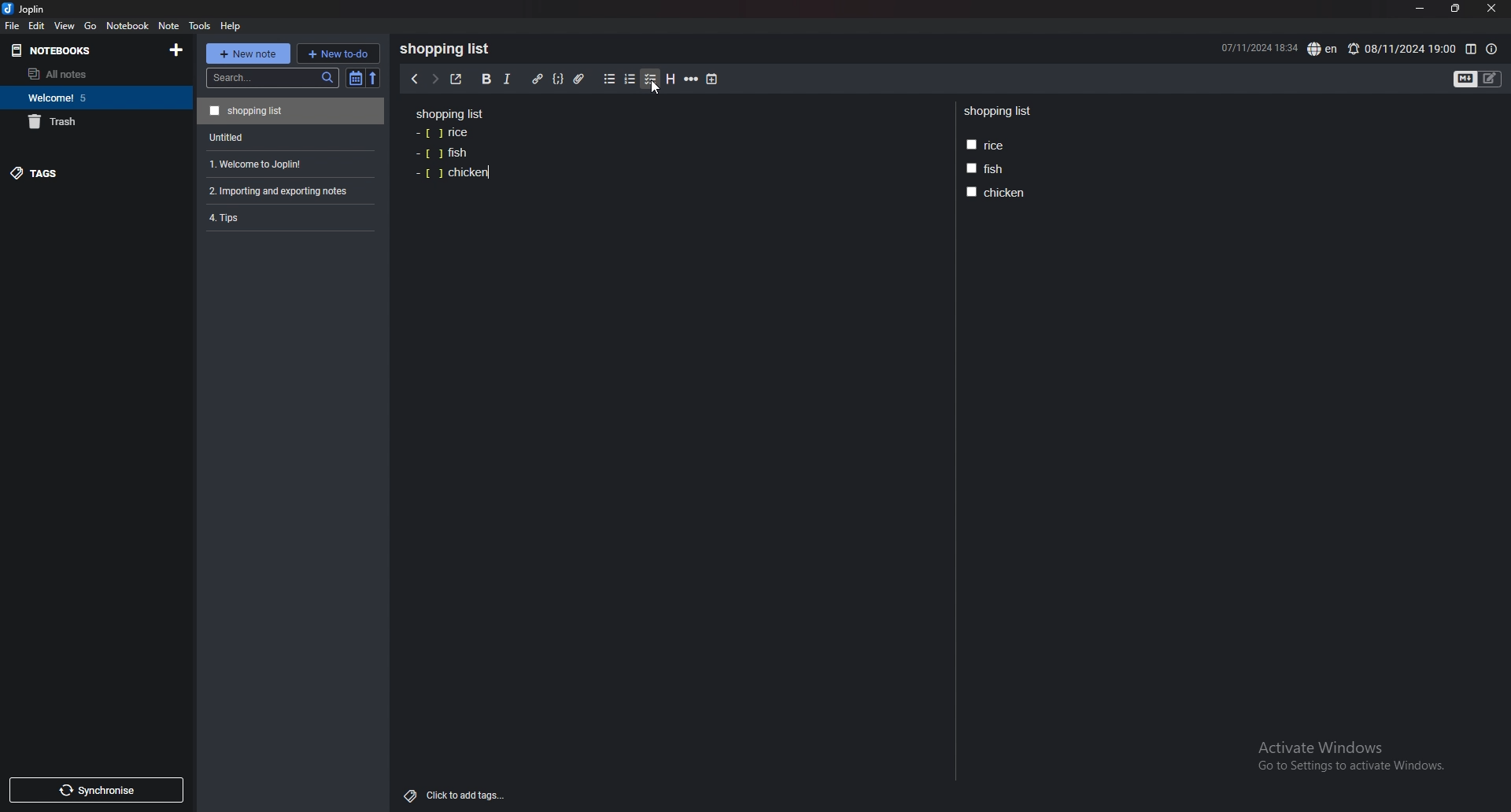 This screenshot has height=812, width=1511. Describe the element at coordinates (450, 113) in the screenshot. I see `Shopping list` at that location.